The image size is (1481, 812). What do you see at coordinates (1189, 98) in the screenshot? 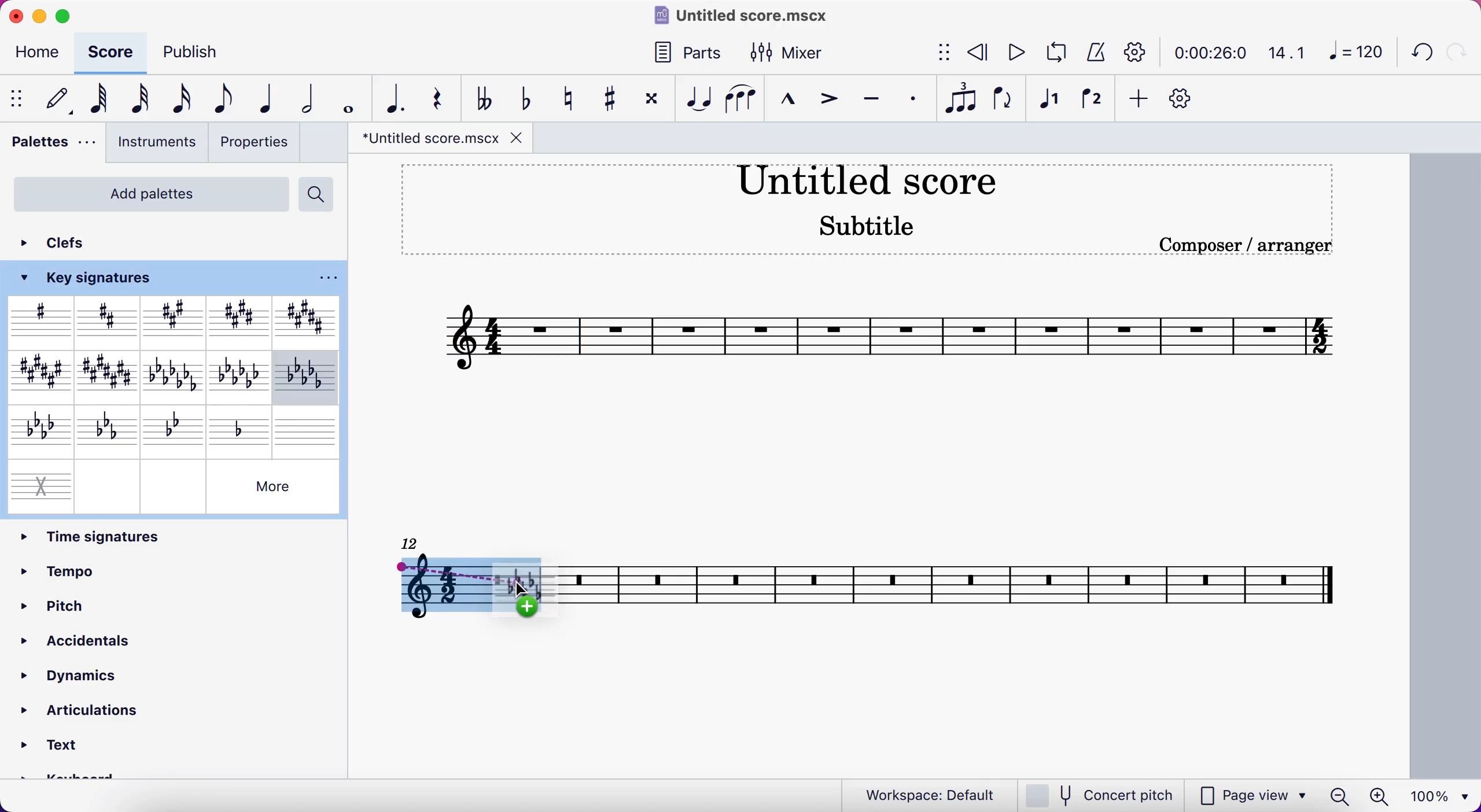
I see `customize toolbar` at bounding box center [1189, 98].